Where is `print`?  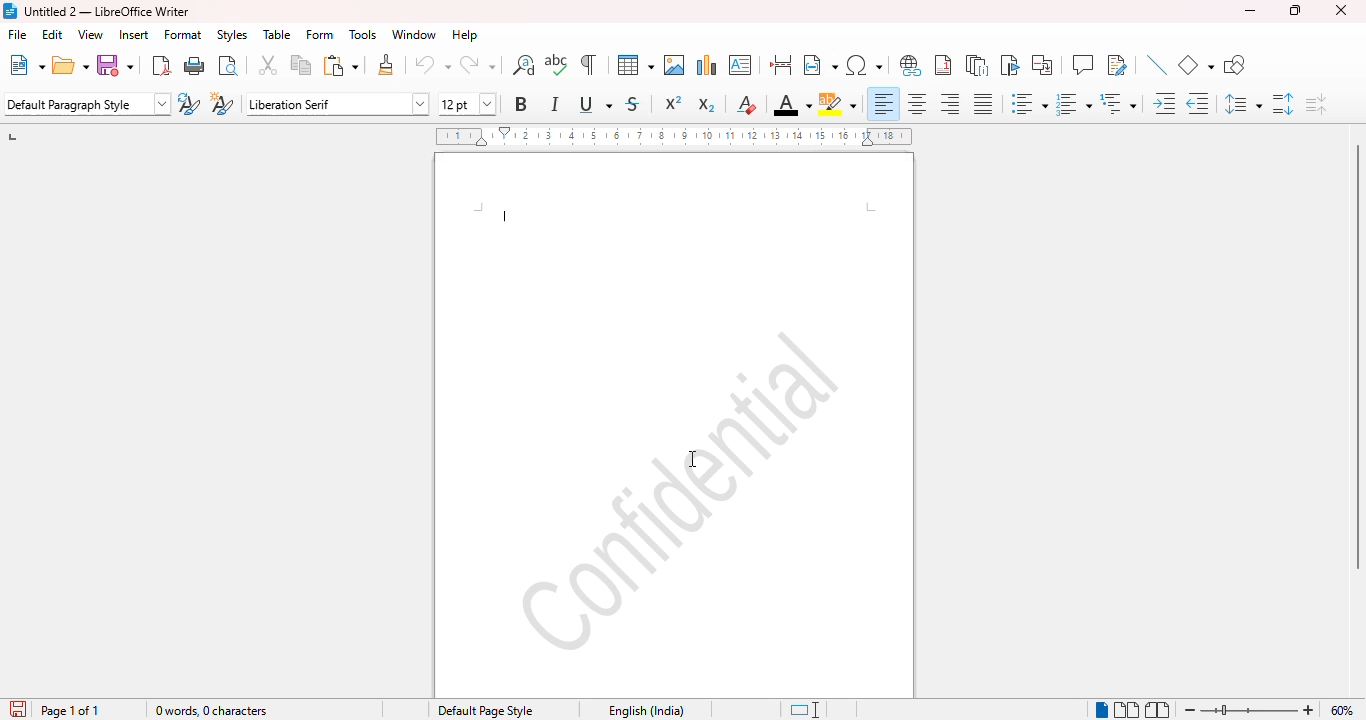
print is located at coordinates (195, 65).